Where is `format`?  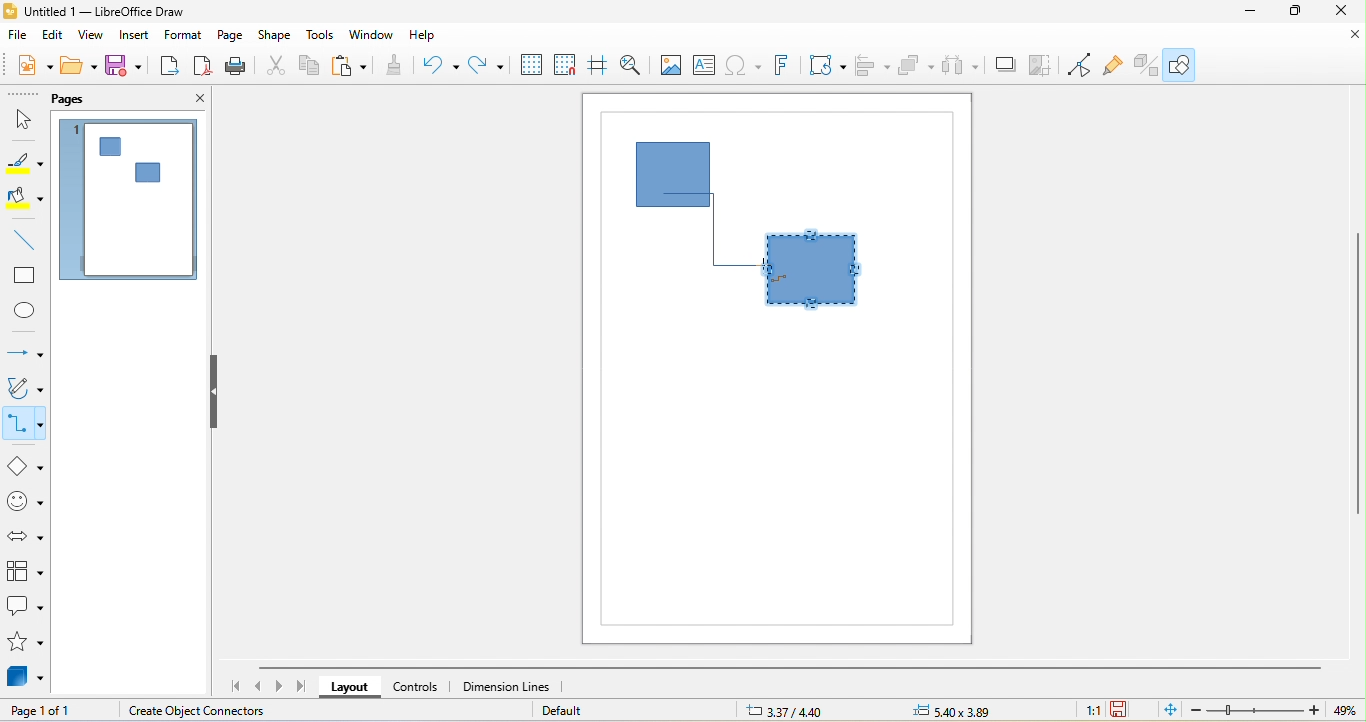 format is located at coordinates (183, 36).